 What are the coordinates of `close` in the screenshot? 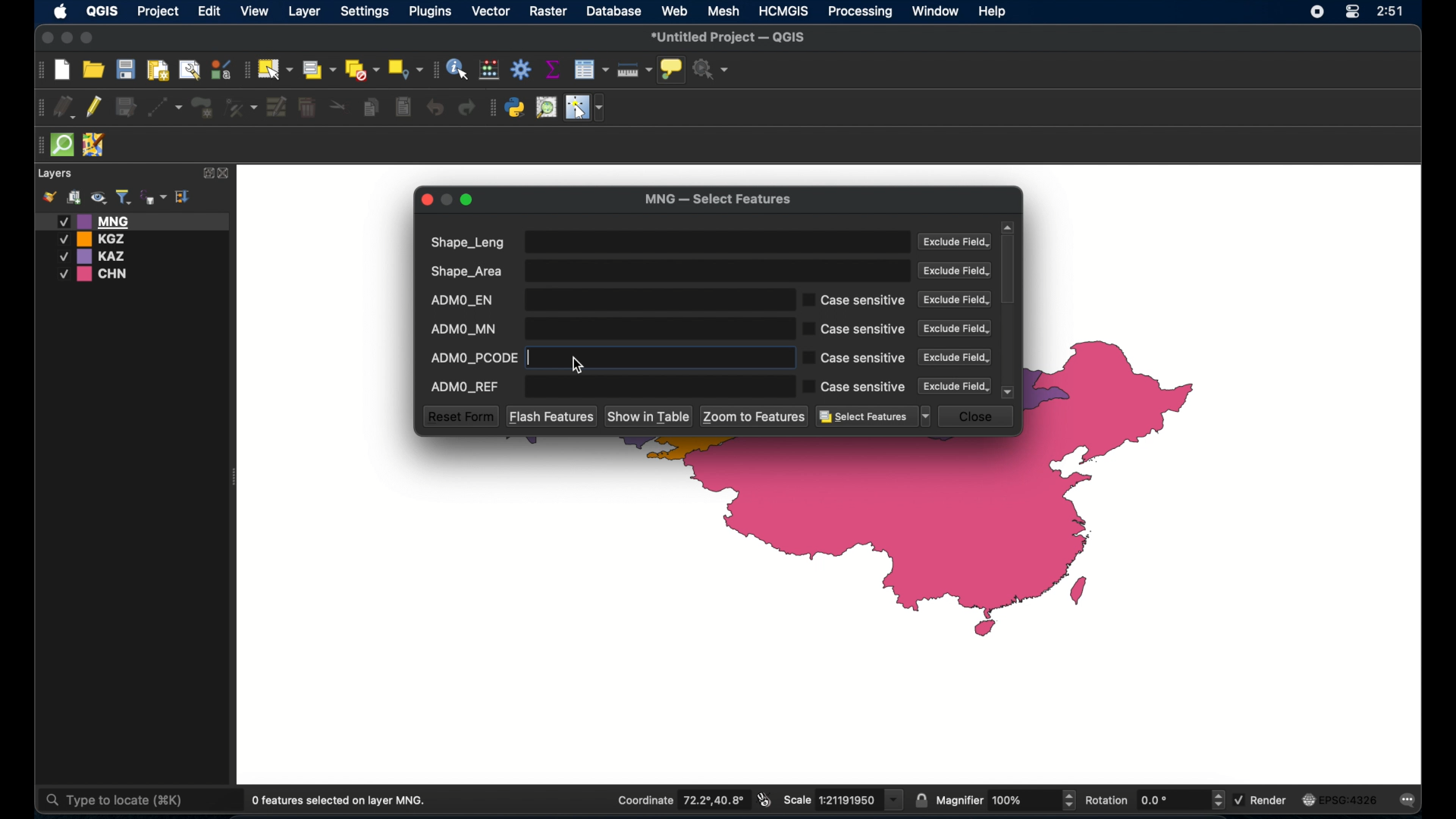 It's located at (225, 174).